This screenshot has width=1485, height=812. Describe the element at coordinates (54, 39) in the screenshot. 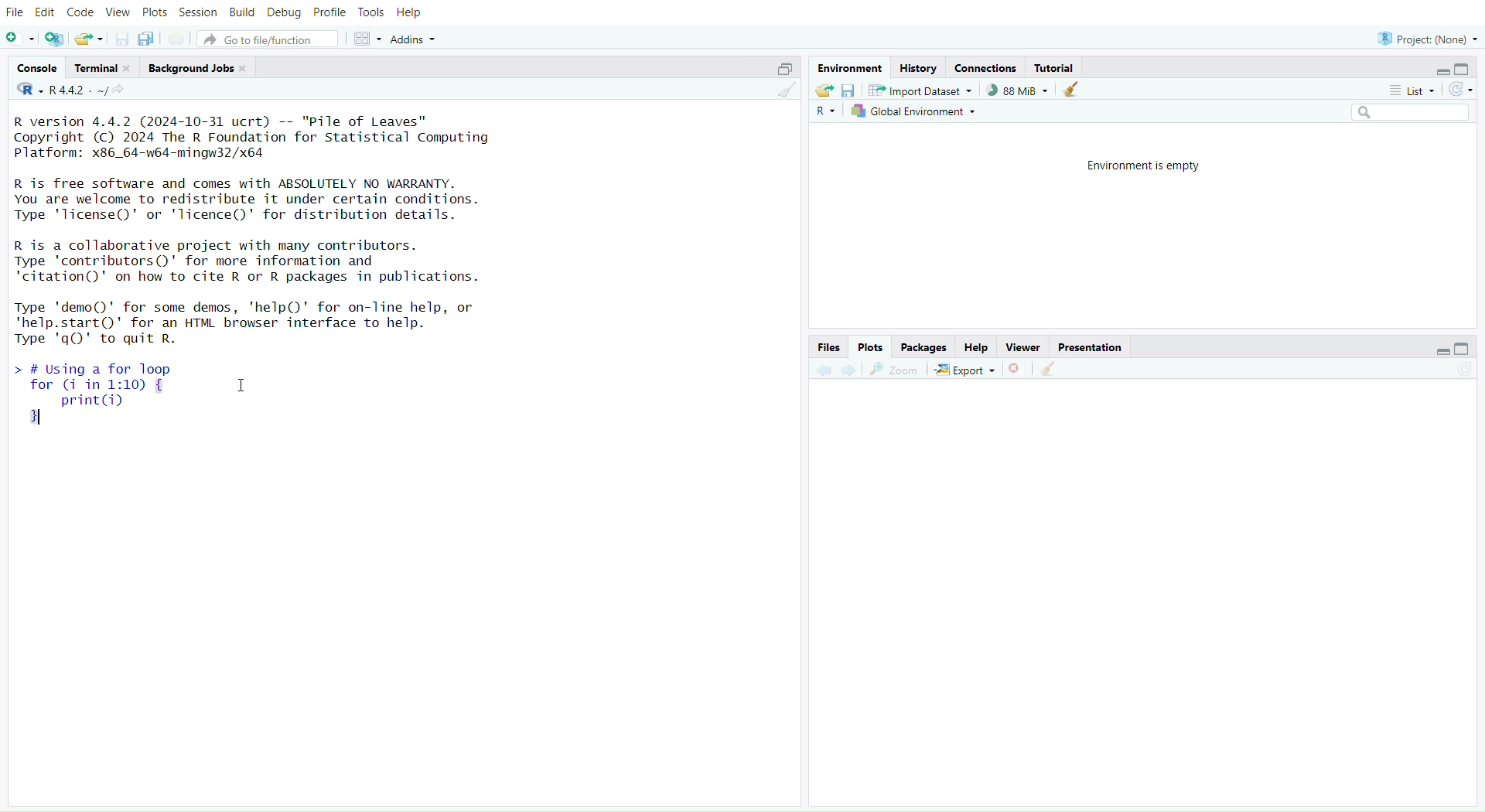

I see `create a project` at that location.